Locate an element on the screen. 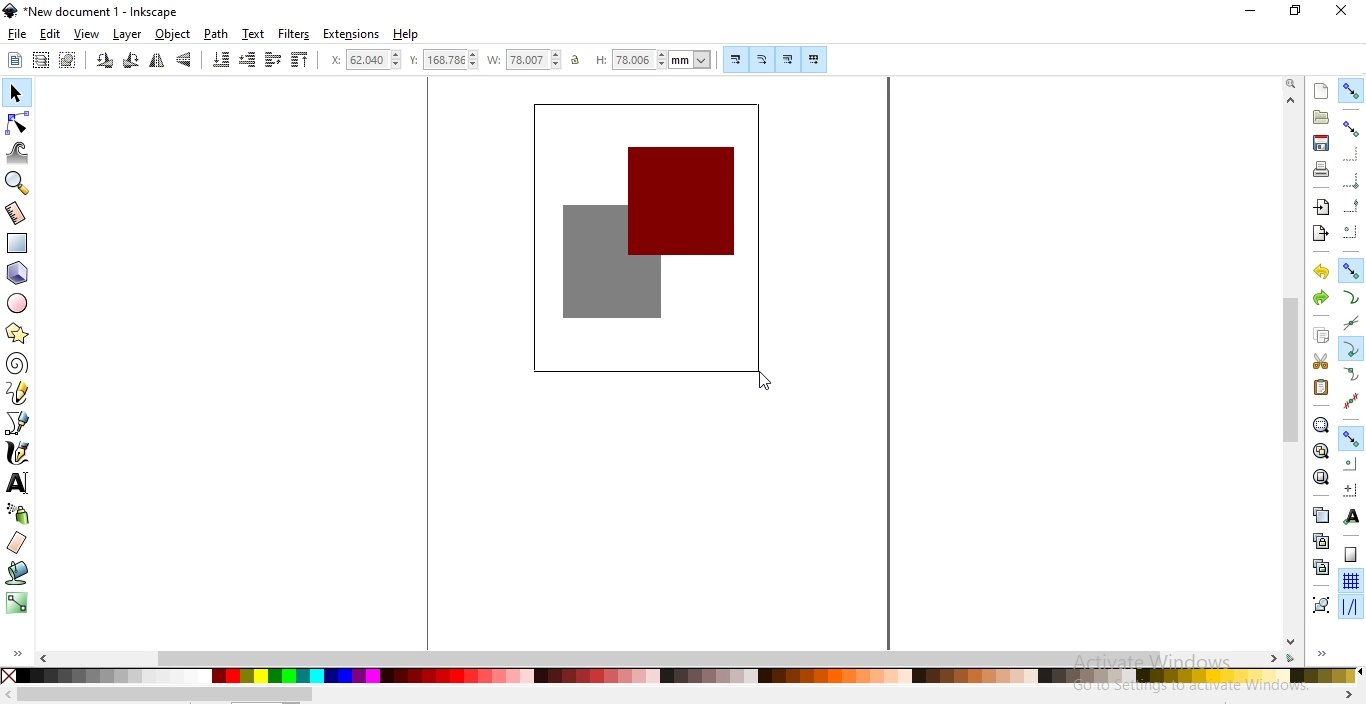 The image size is (1366, 704). flip vertical is located at coordinates (186, 60).